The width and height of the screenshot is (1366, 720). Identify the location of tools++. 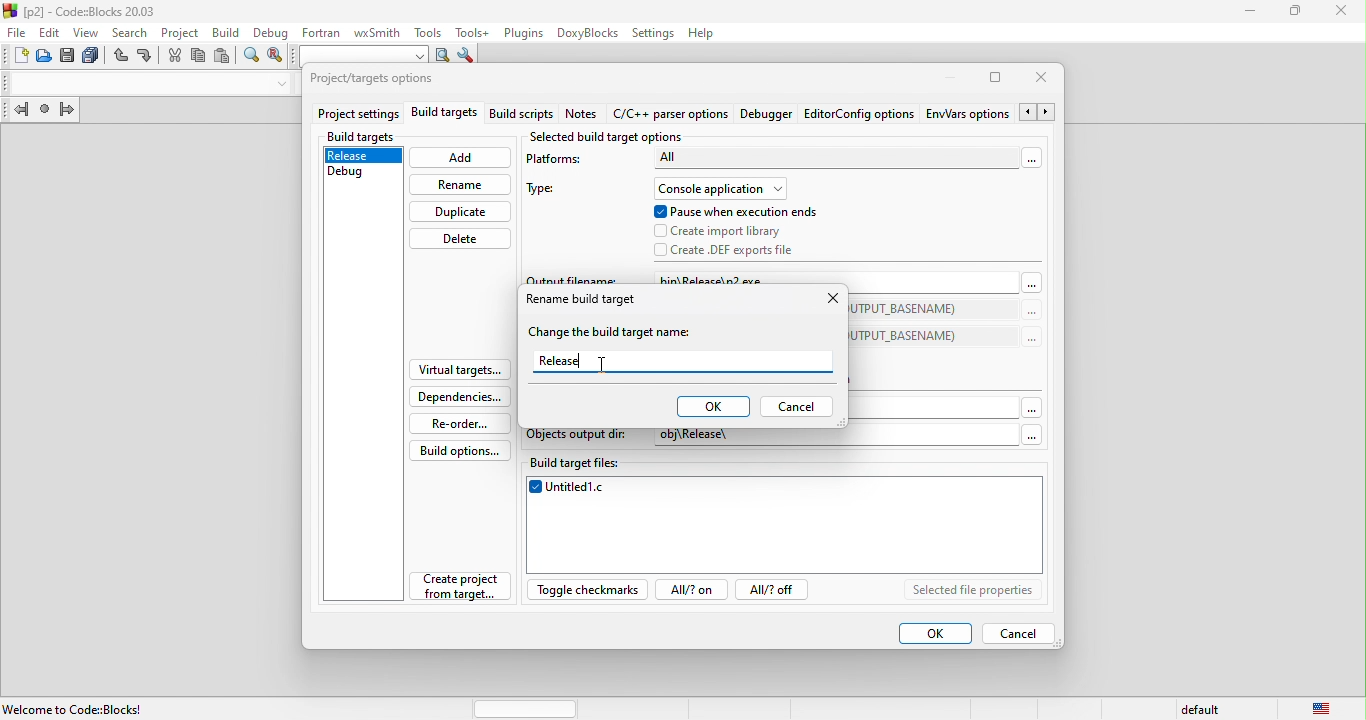
(473, 32).